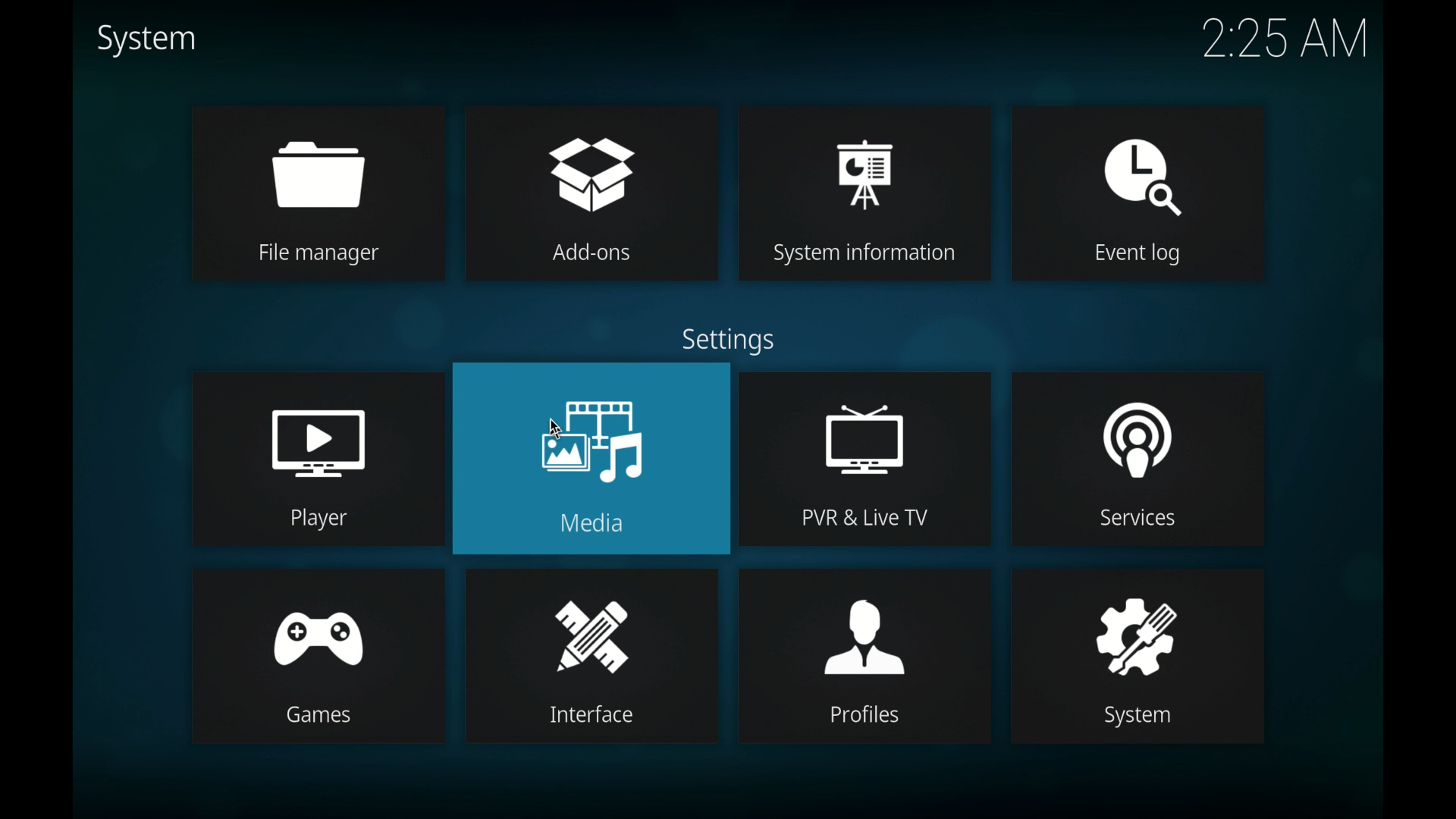  I want to click on Interface, so click(592, 716).